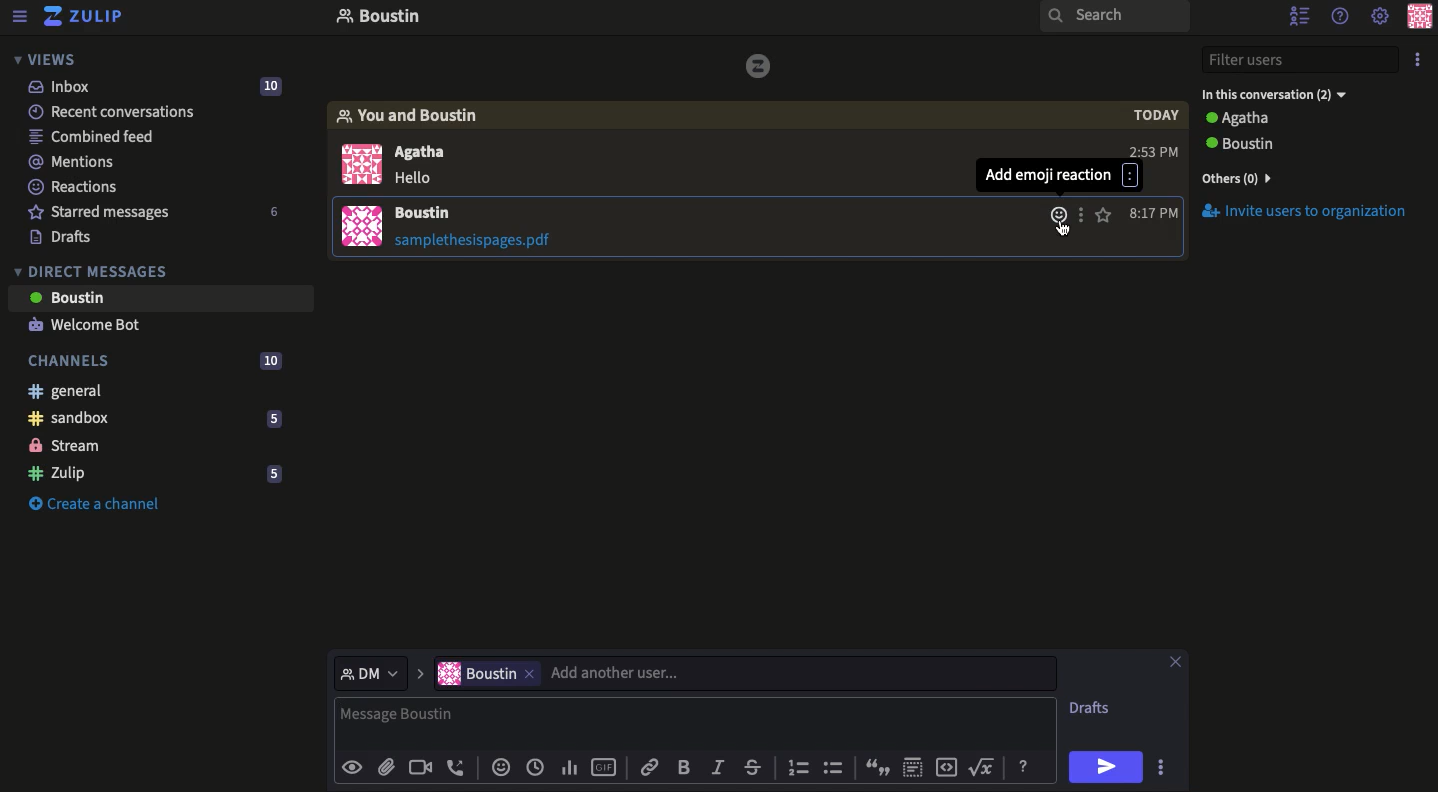 Image resolution: width=1438 pixels, height=792 pixels. I want to click on hello, so click(416, 178).